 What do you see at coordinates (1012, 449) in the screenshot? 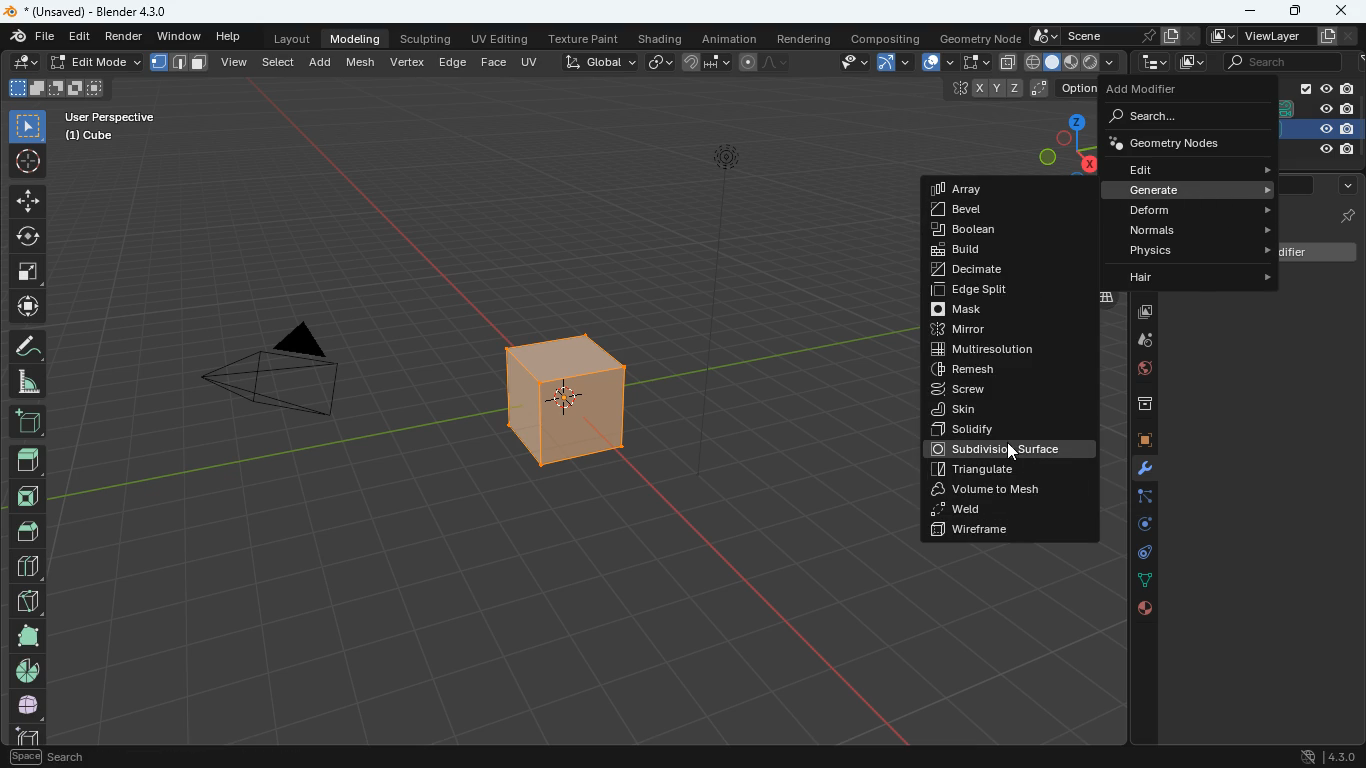
I see `subdivision` at bounding box center [1012, 449].